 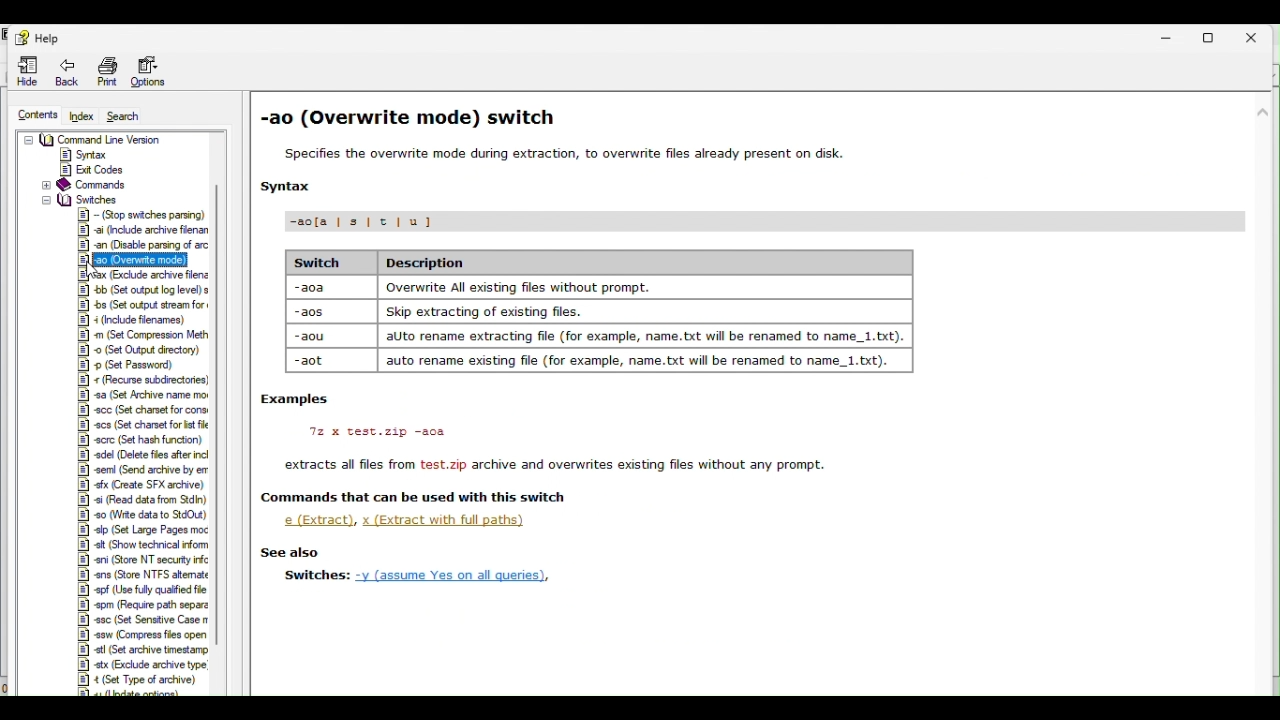 What do you see at coordinates (143, 410) in the screenshot?
I see `|&] ecc (Set chamet for cons:` at bounding box center [143, 410].